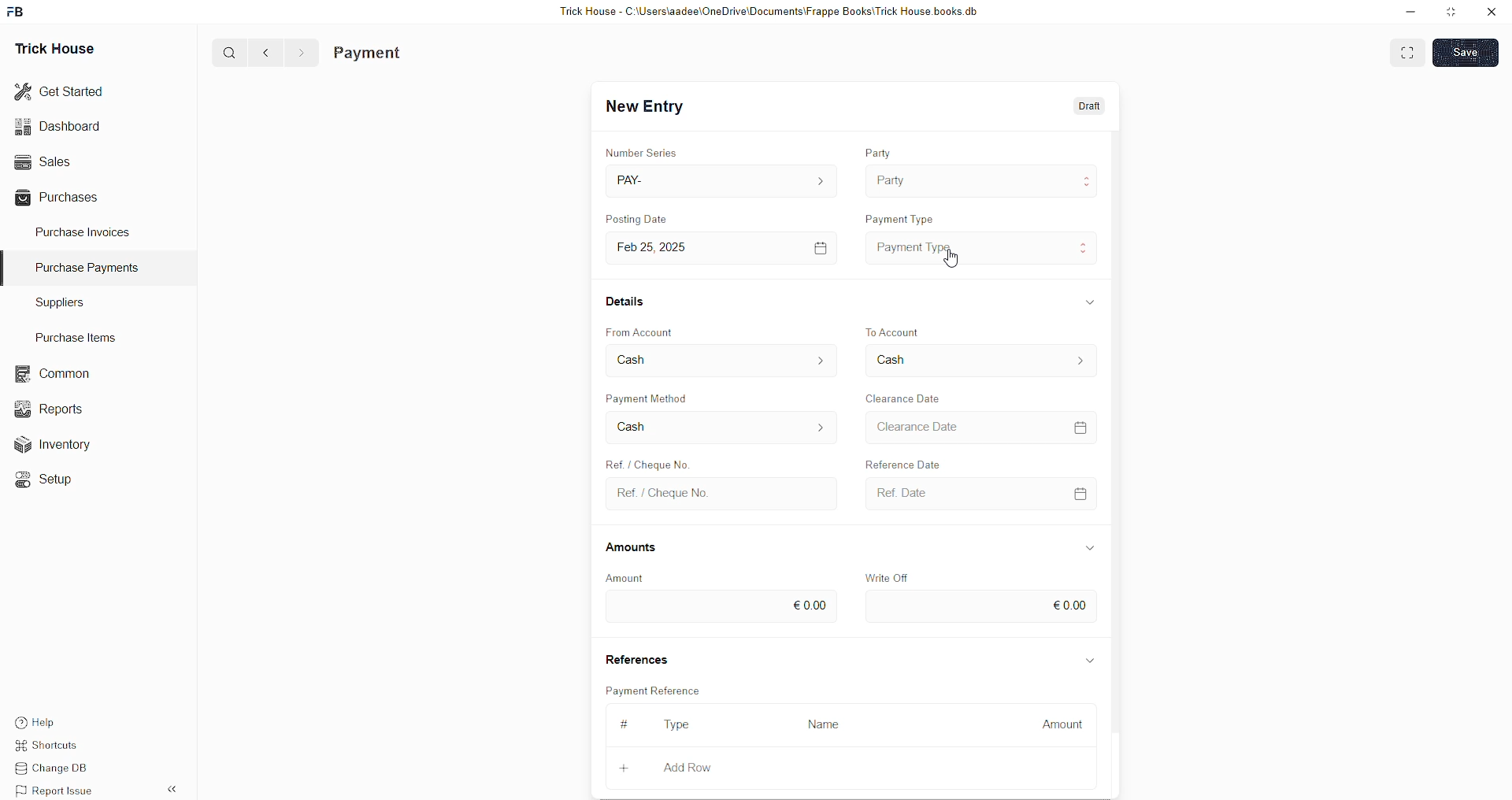  Describe the element at coordinates (663, 492) in the screenshot. I see `Ref. / Cheque No.` at that location.